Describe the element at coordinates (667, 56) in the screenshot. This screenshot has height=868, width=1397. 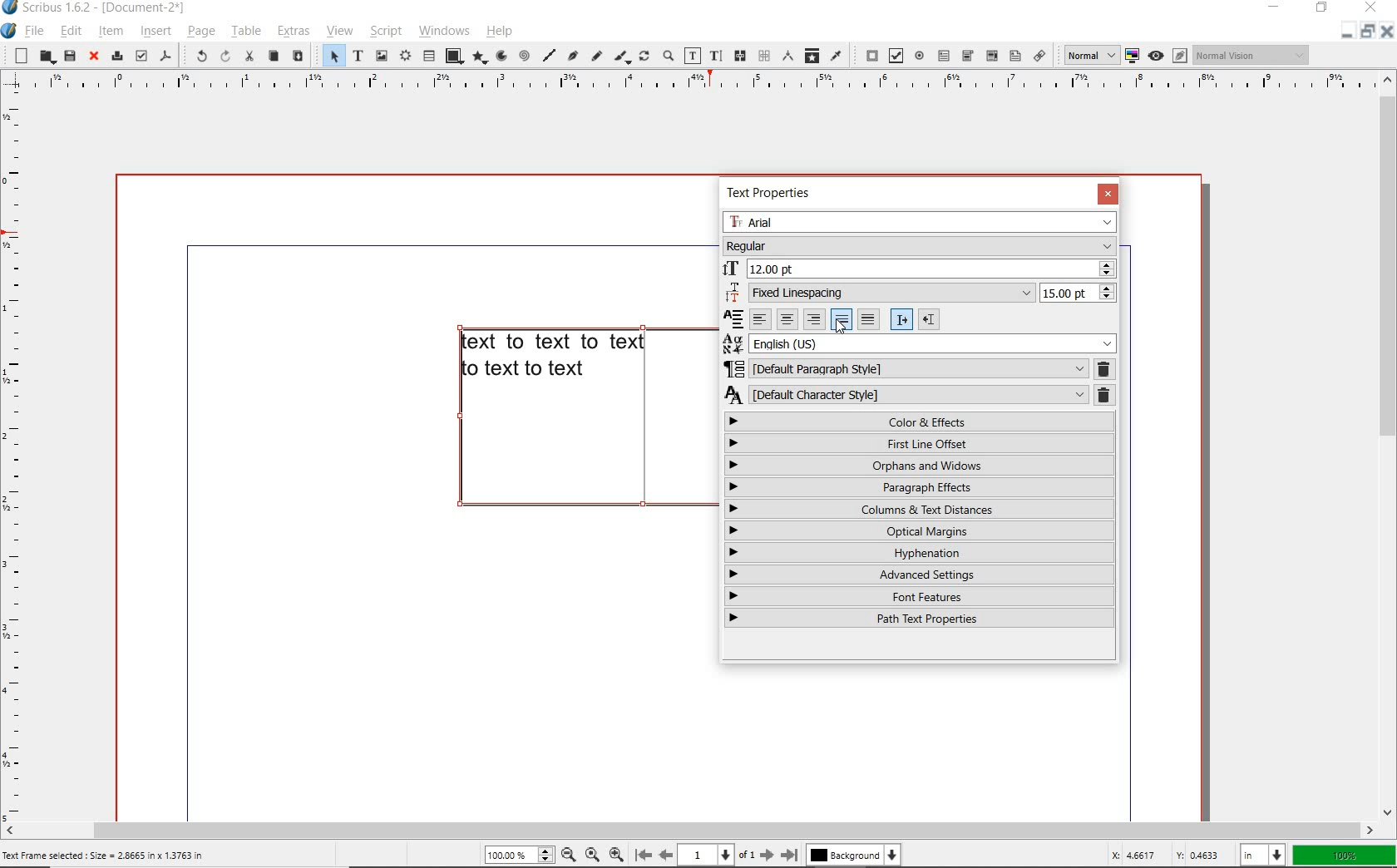
I see `zoom in or zoom out` at that location.